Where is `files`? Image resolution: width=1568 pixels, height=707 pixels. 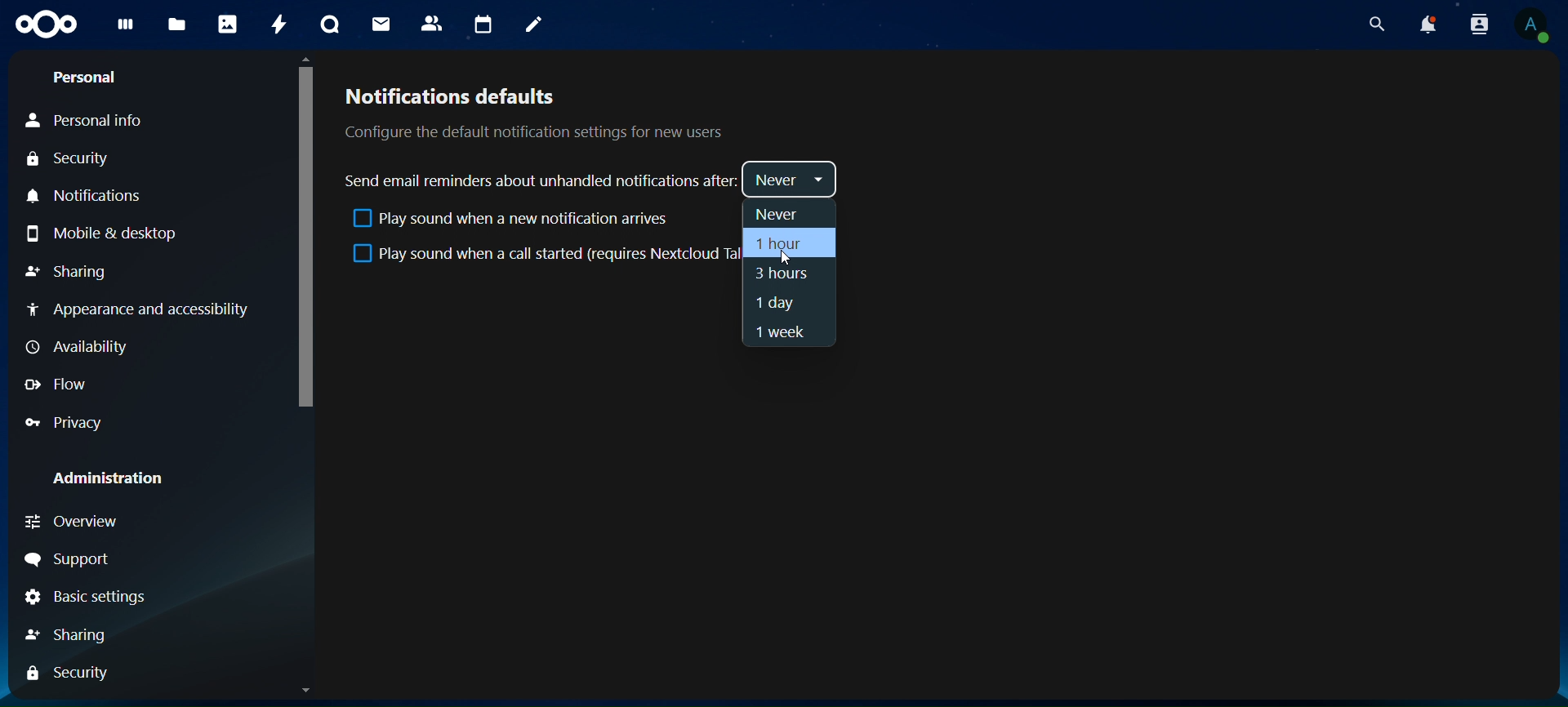
files is located at coordinates (176, 25).